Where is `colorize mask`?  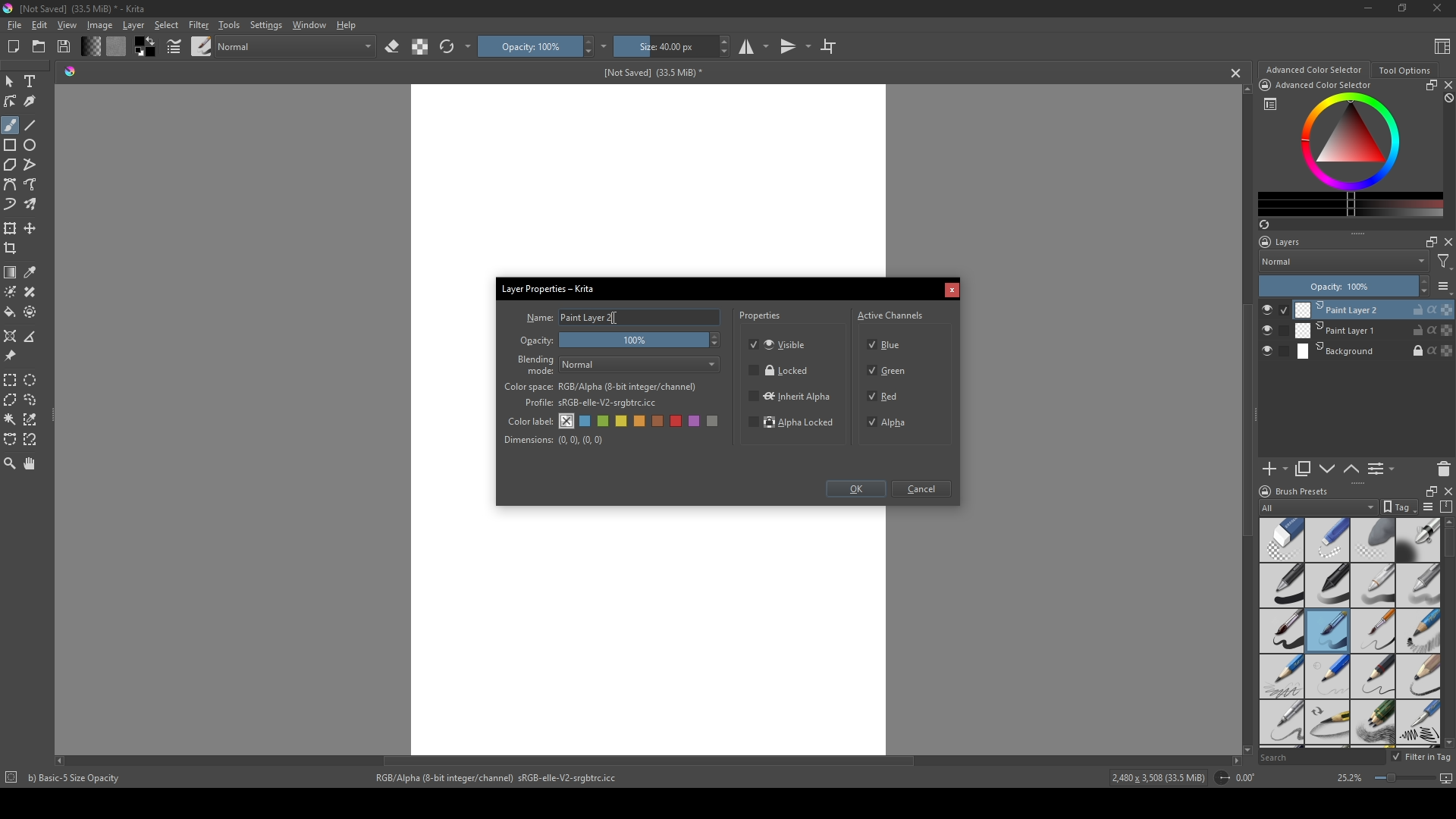 colorize mask is located at coordinates (11, 291).